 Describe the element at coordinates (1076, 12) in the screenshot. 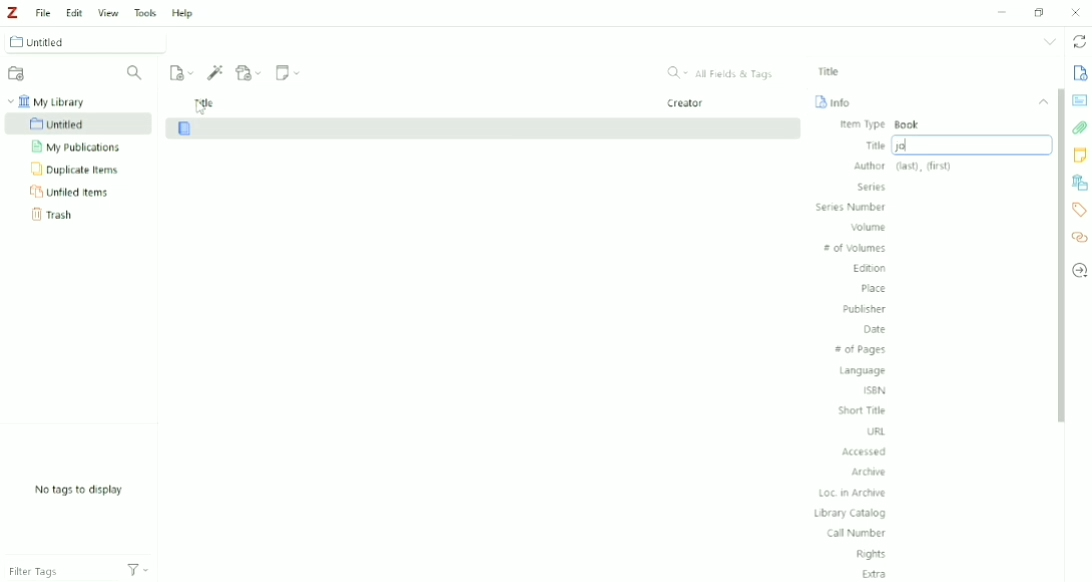

I see `Close` at that location.